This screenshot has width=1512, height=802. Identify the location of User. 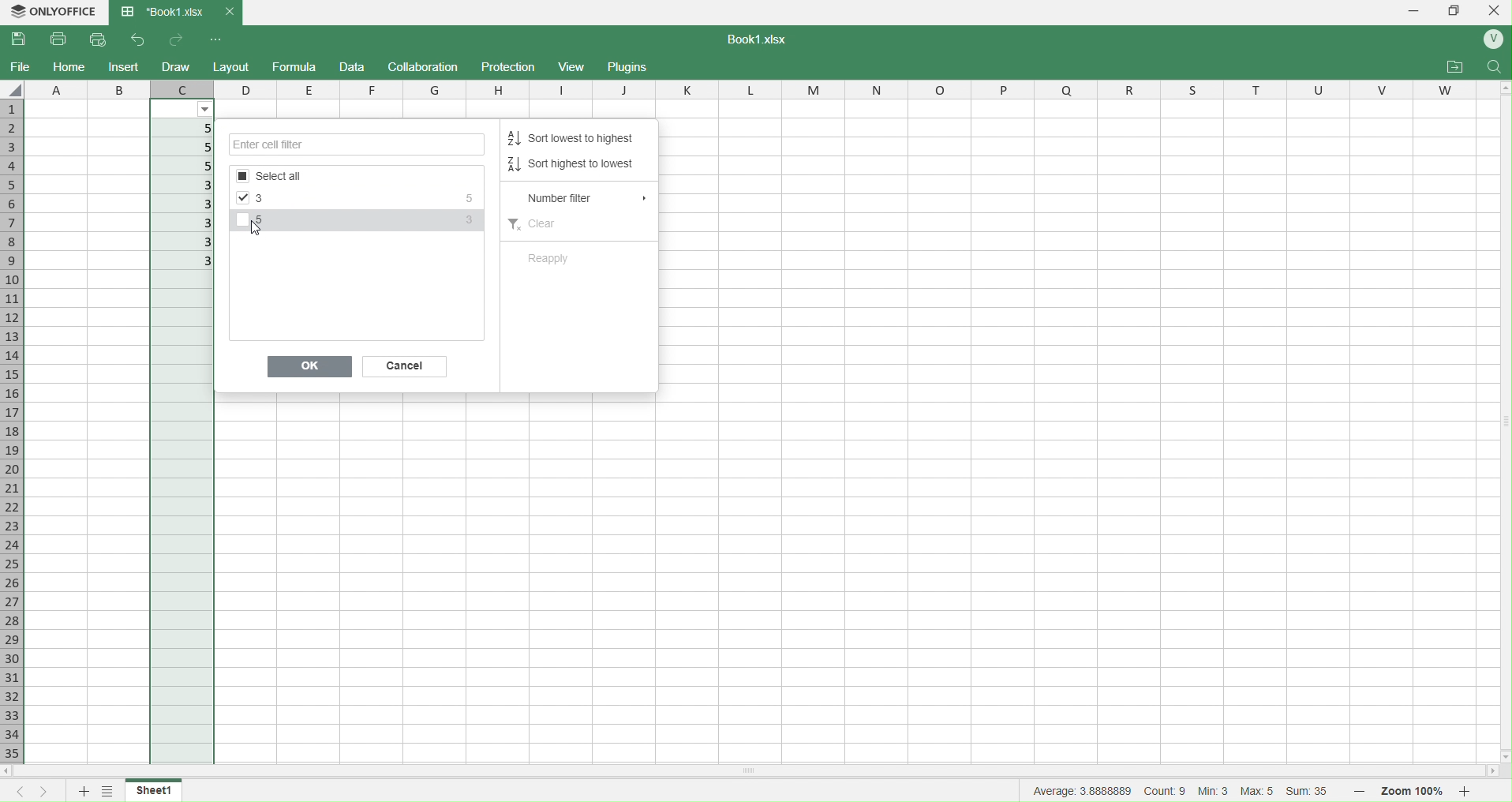
(1491, 40).